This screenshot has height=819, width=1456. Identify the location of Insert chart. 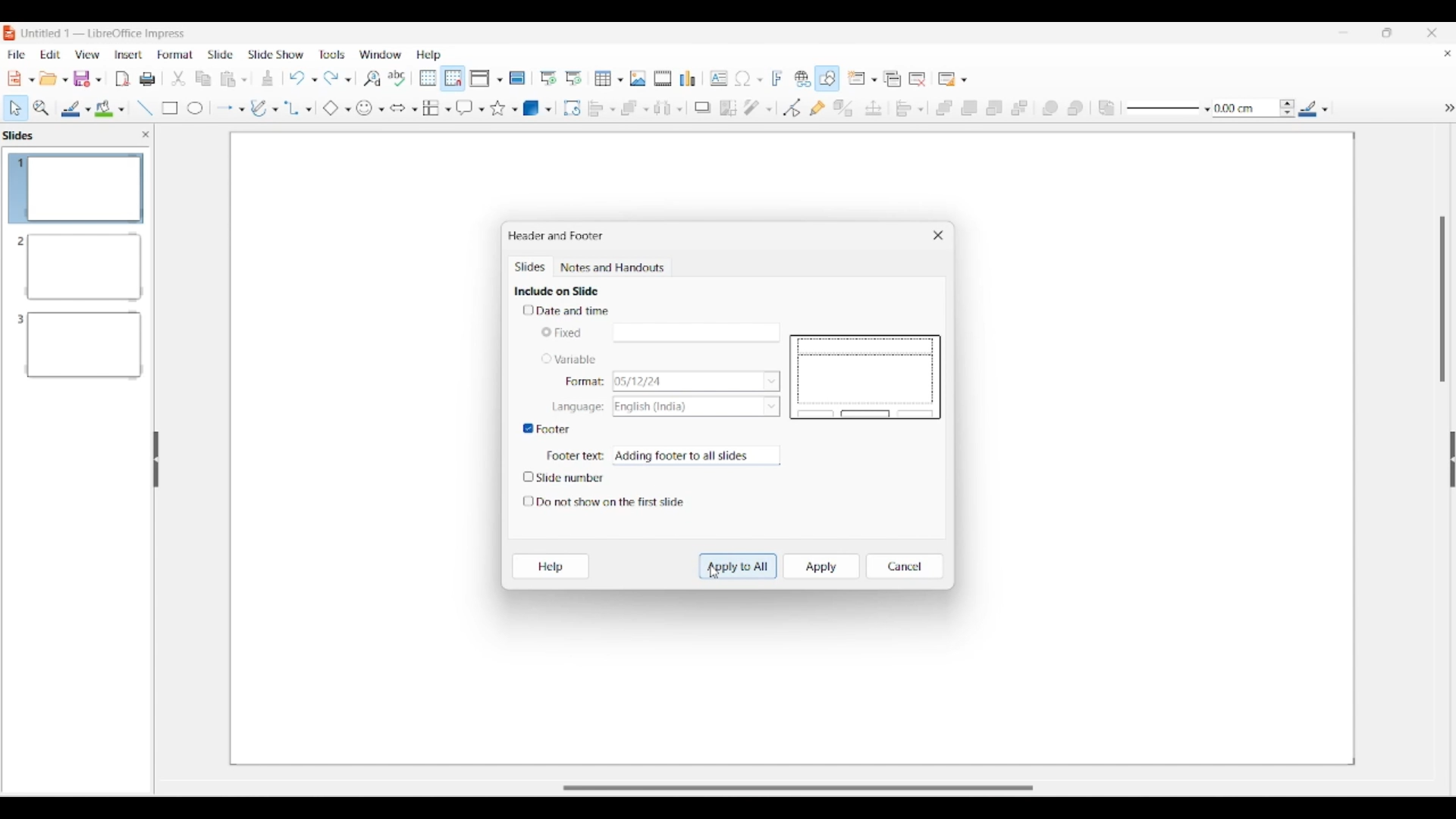
(687, 78).